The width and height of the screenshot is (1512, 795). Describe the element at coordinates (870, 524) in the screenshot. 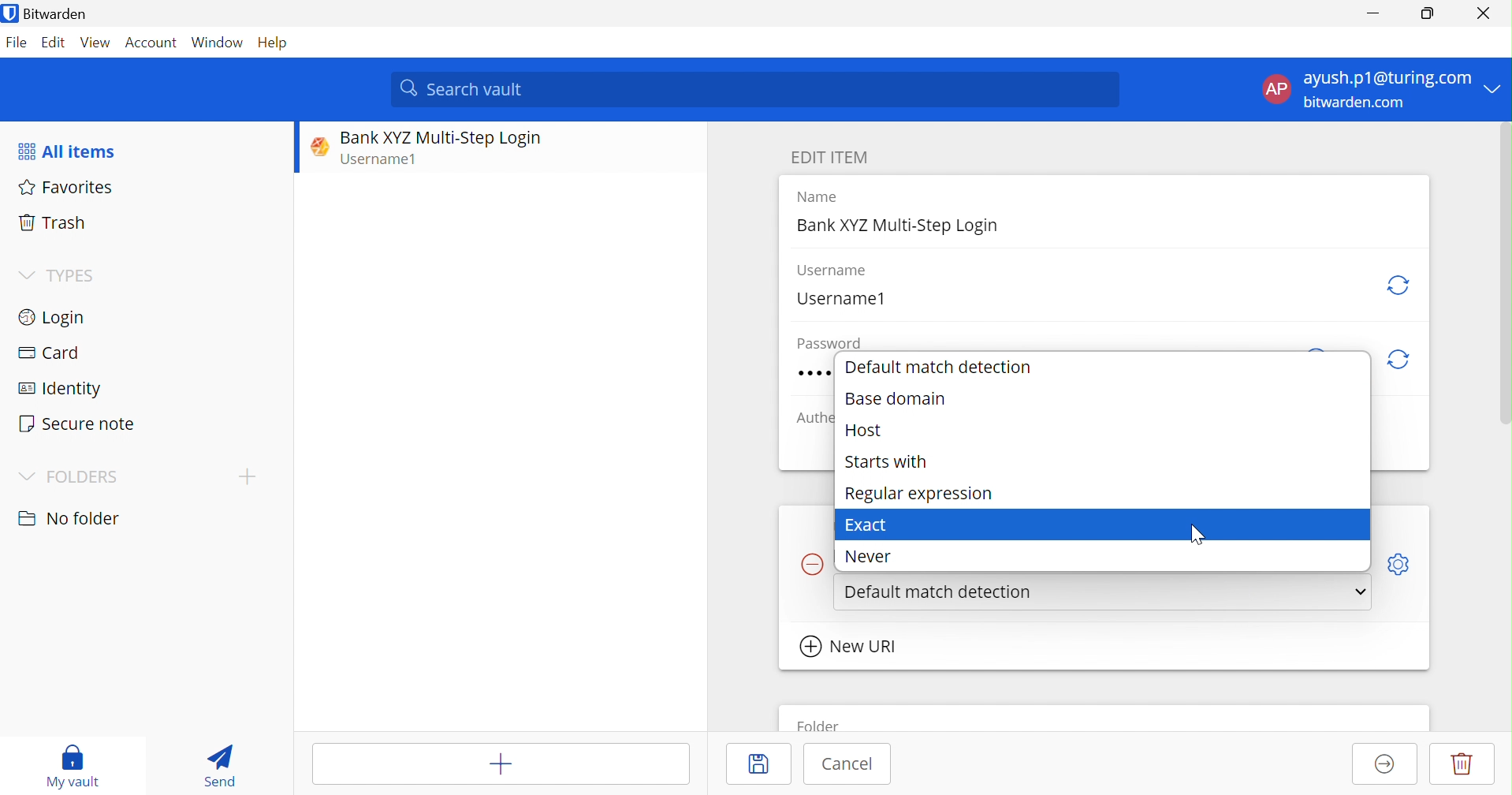

I see `Exact` at that location.